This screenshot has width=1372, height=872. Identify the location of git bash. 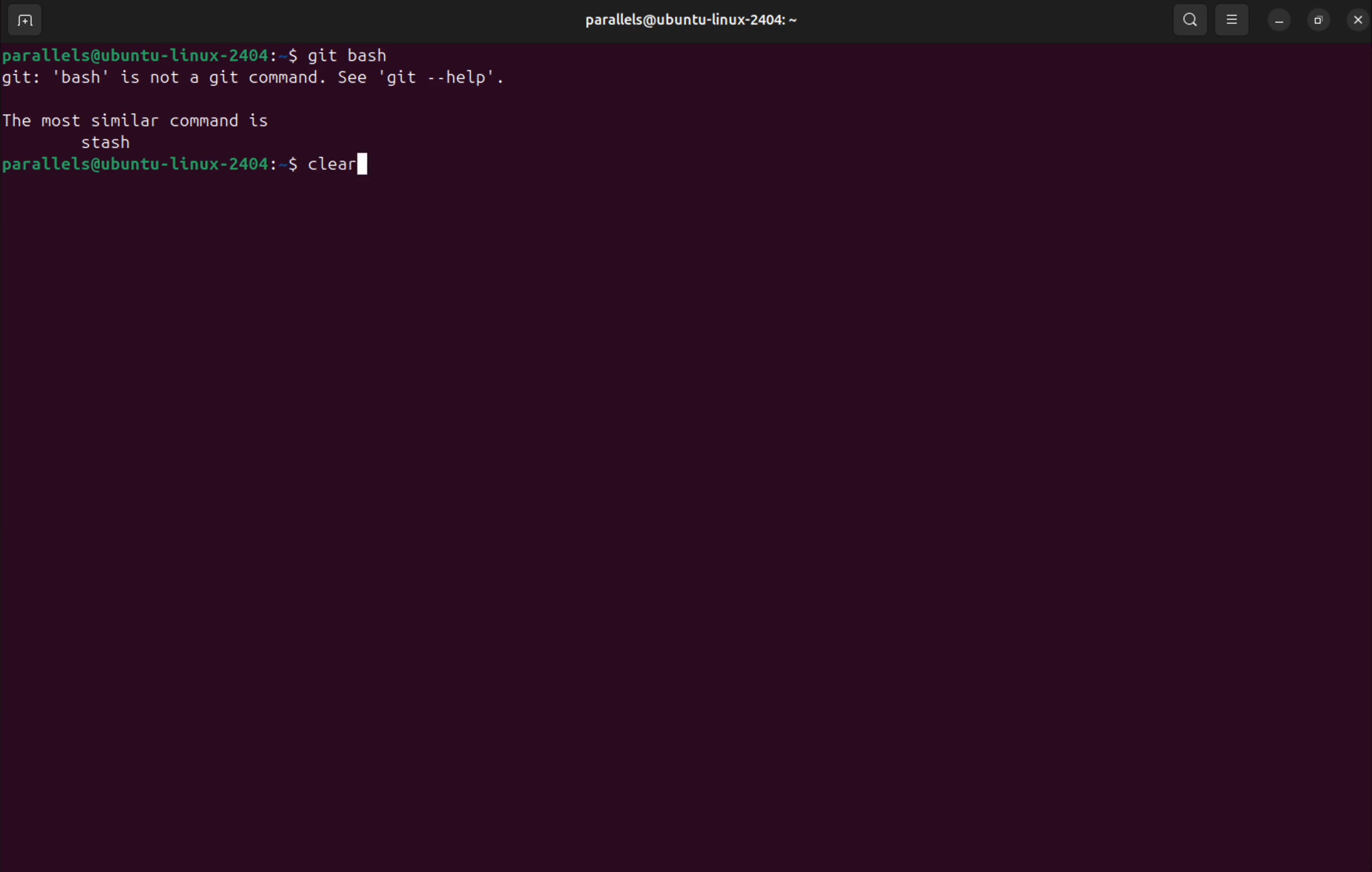
(351, 54).